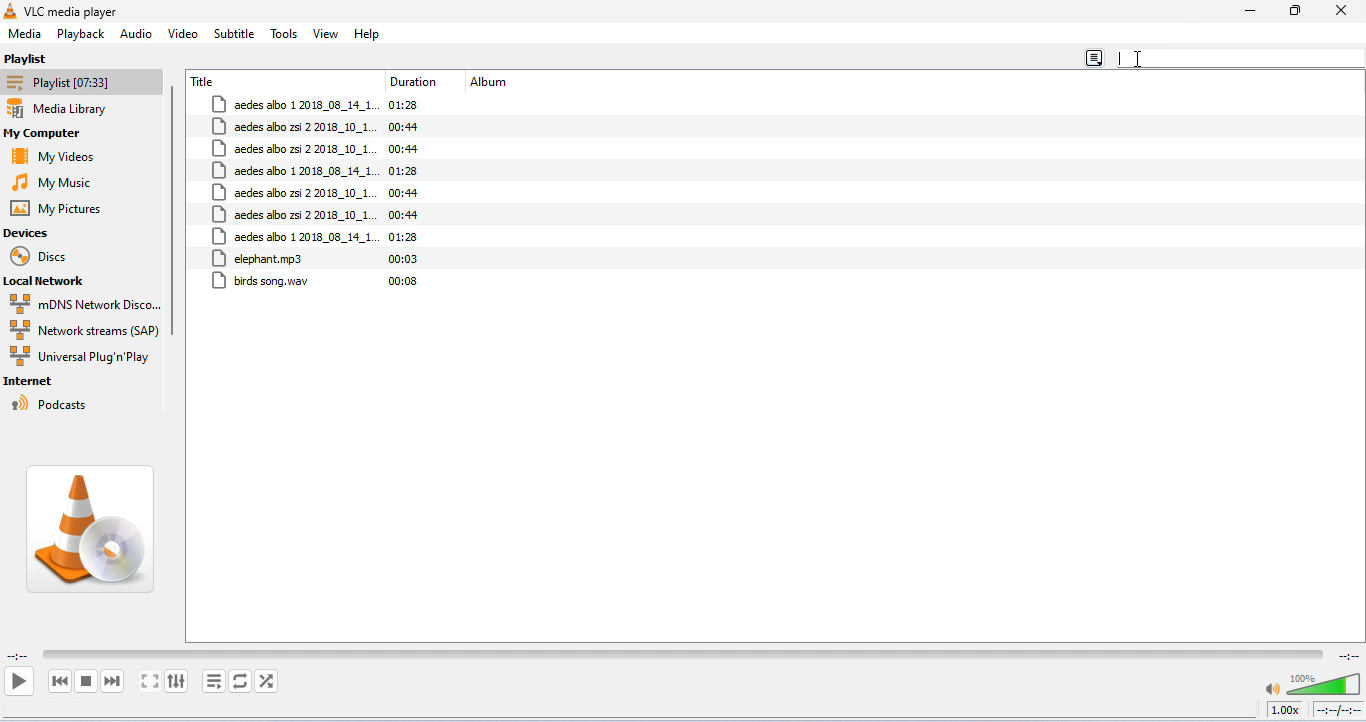  Describe the element at coordinates (406, 170) in the screenshot. I see `01:28` at that location.